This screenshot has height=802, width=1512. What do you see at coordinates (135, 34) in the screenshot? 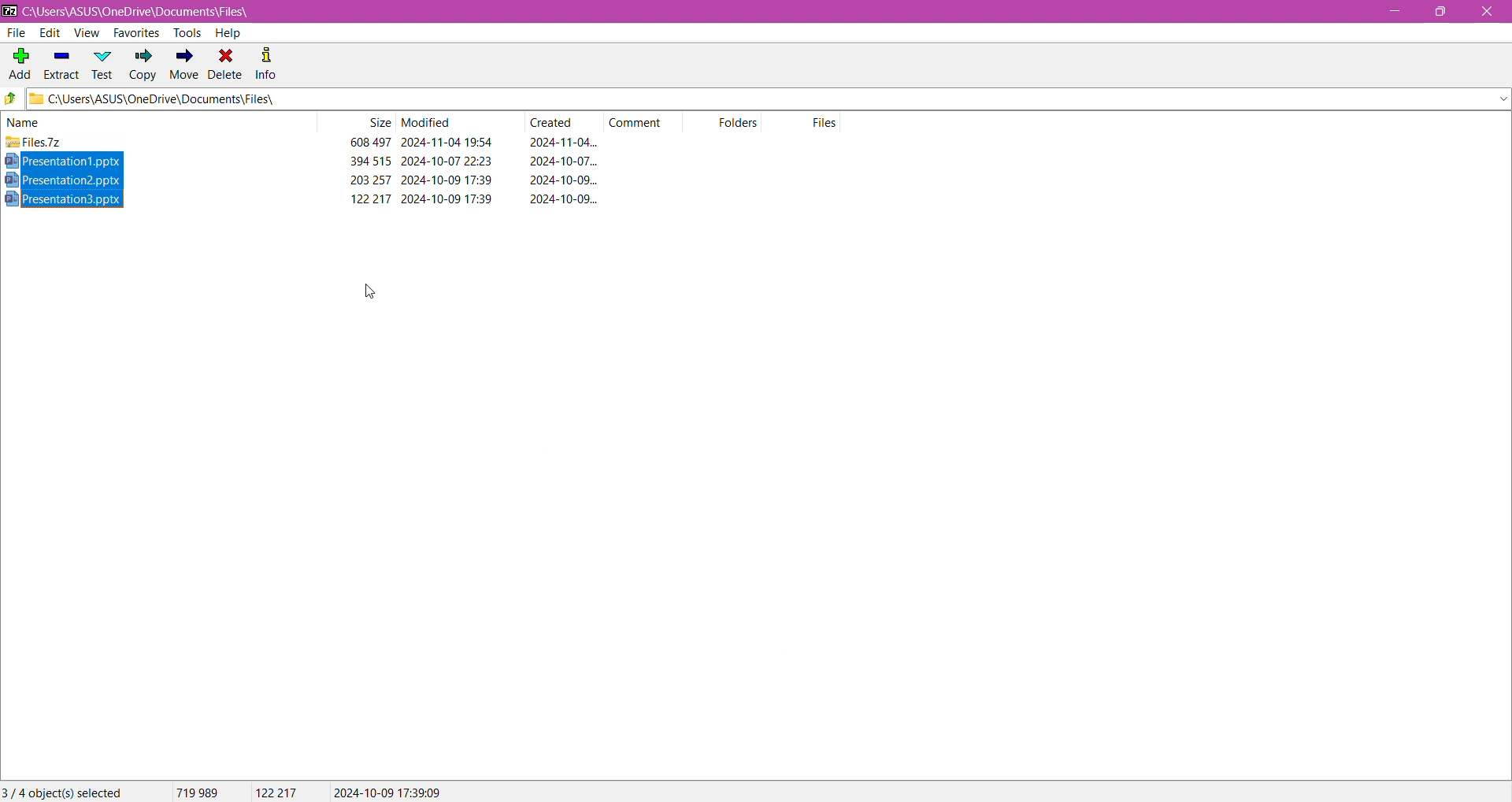
I see `Favorites` at bounding box center [135, 34].